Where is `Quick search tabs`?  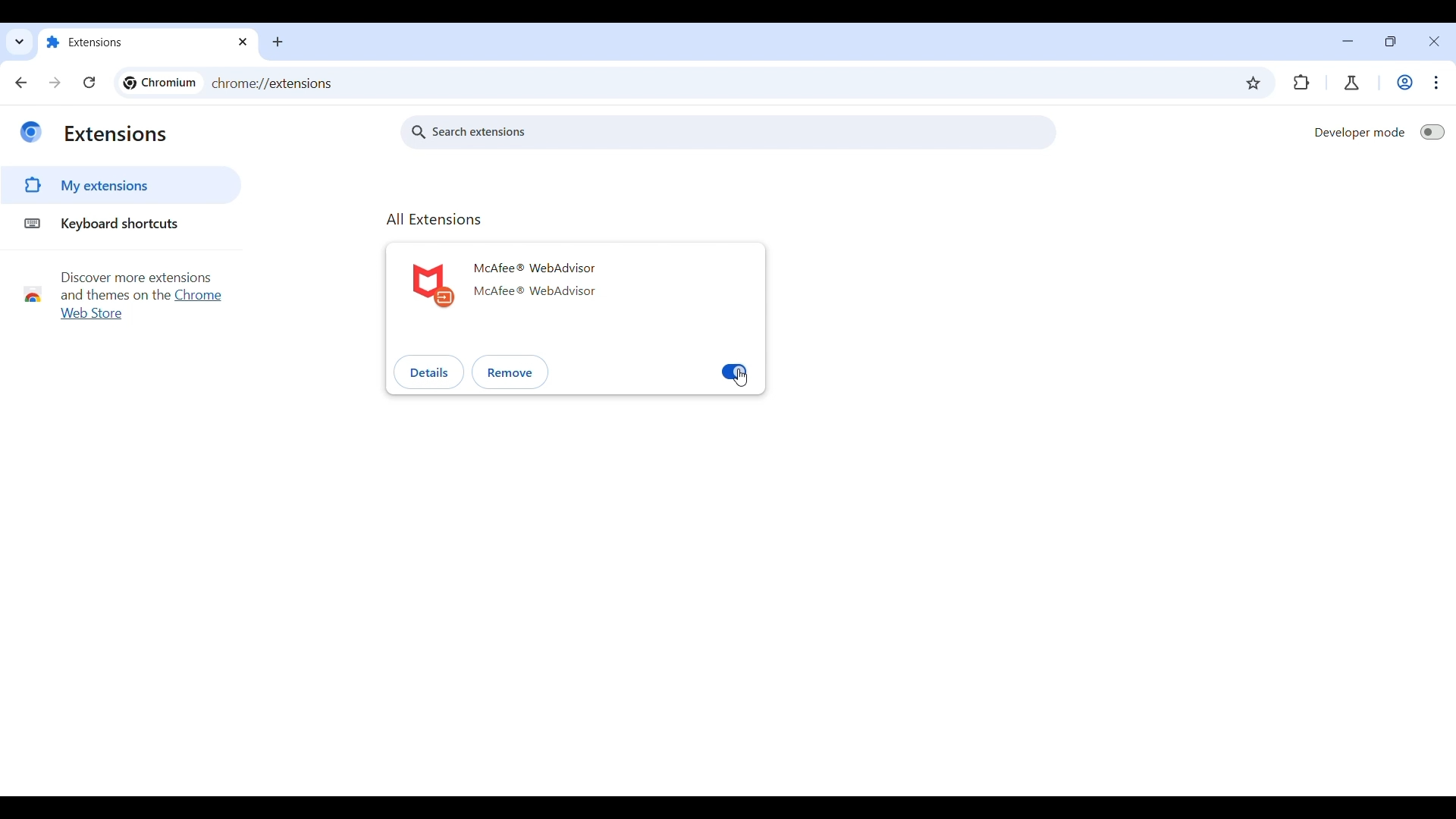
Quick search tabs is located at coordinates (20, 41).